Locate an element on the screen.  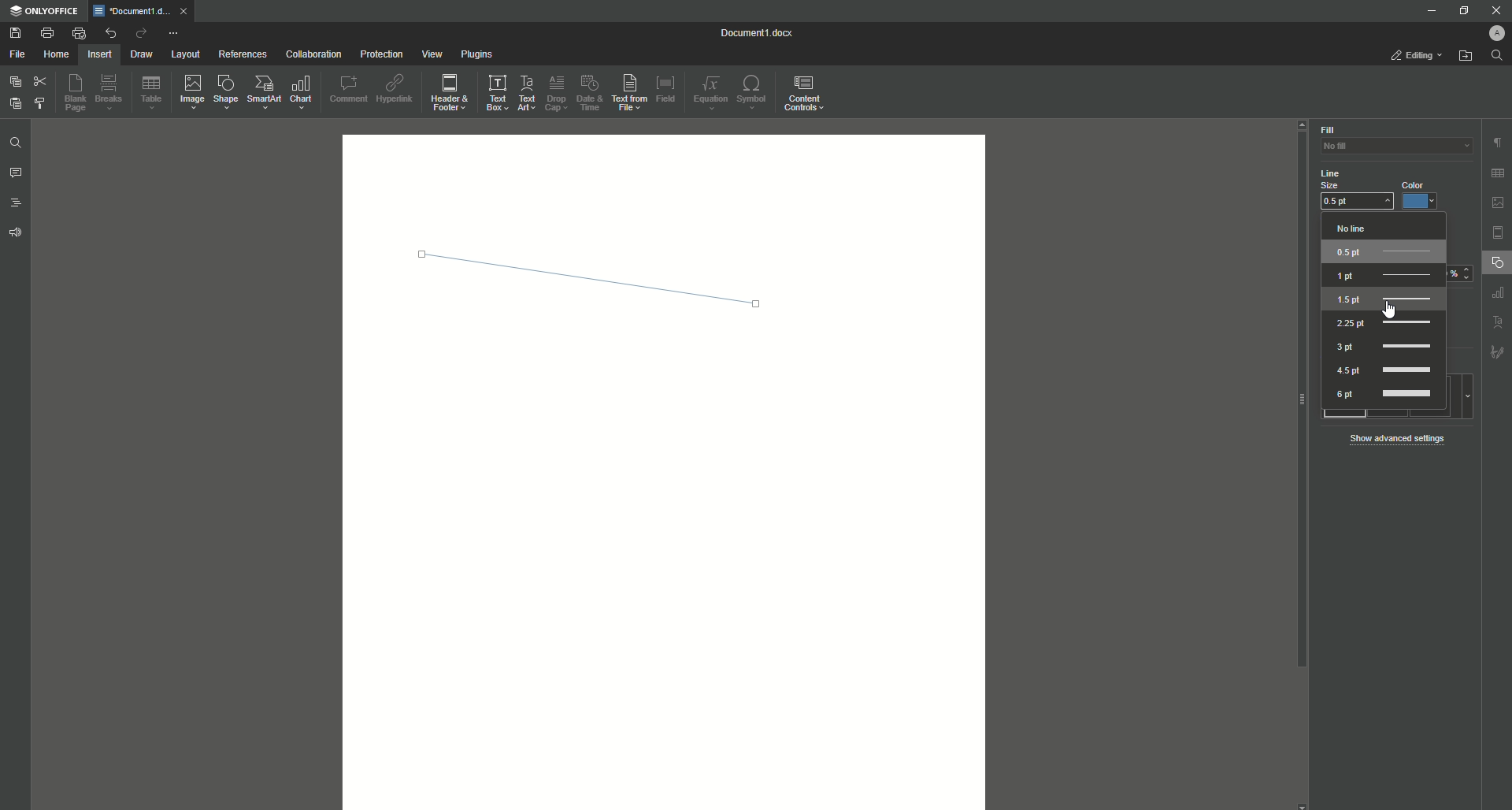
Find is located at coordinates (16, 143).